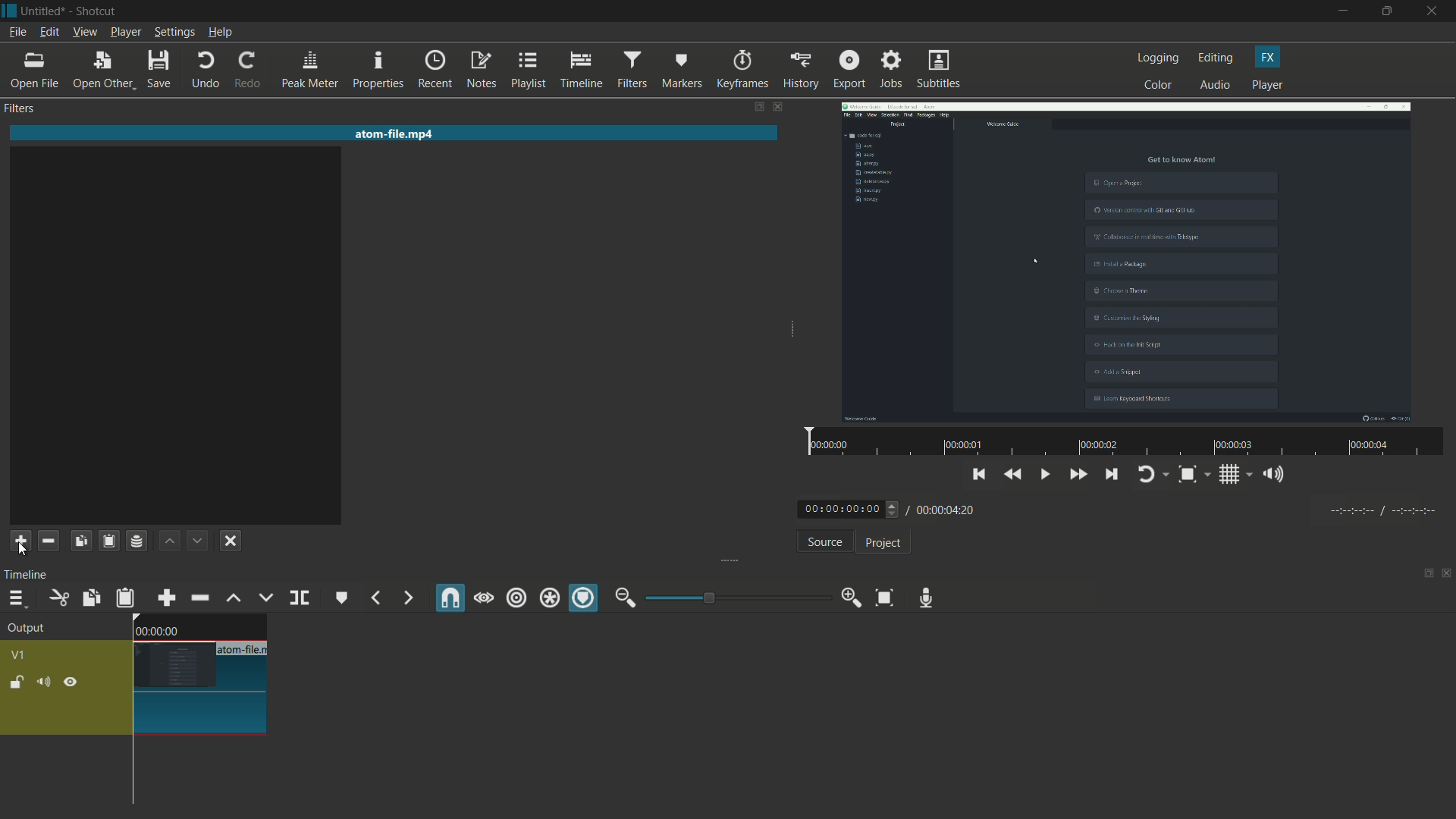  What do you see at coordinates (850, 508) in the screenshot?
I see `00:00:00:00 (current time)` at bounding box center [850, 508].